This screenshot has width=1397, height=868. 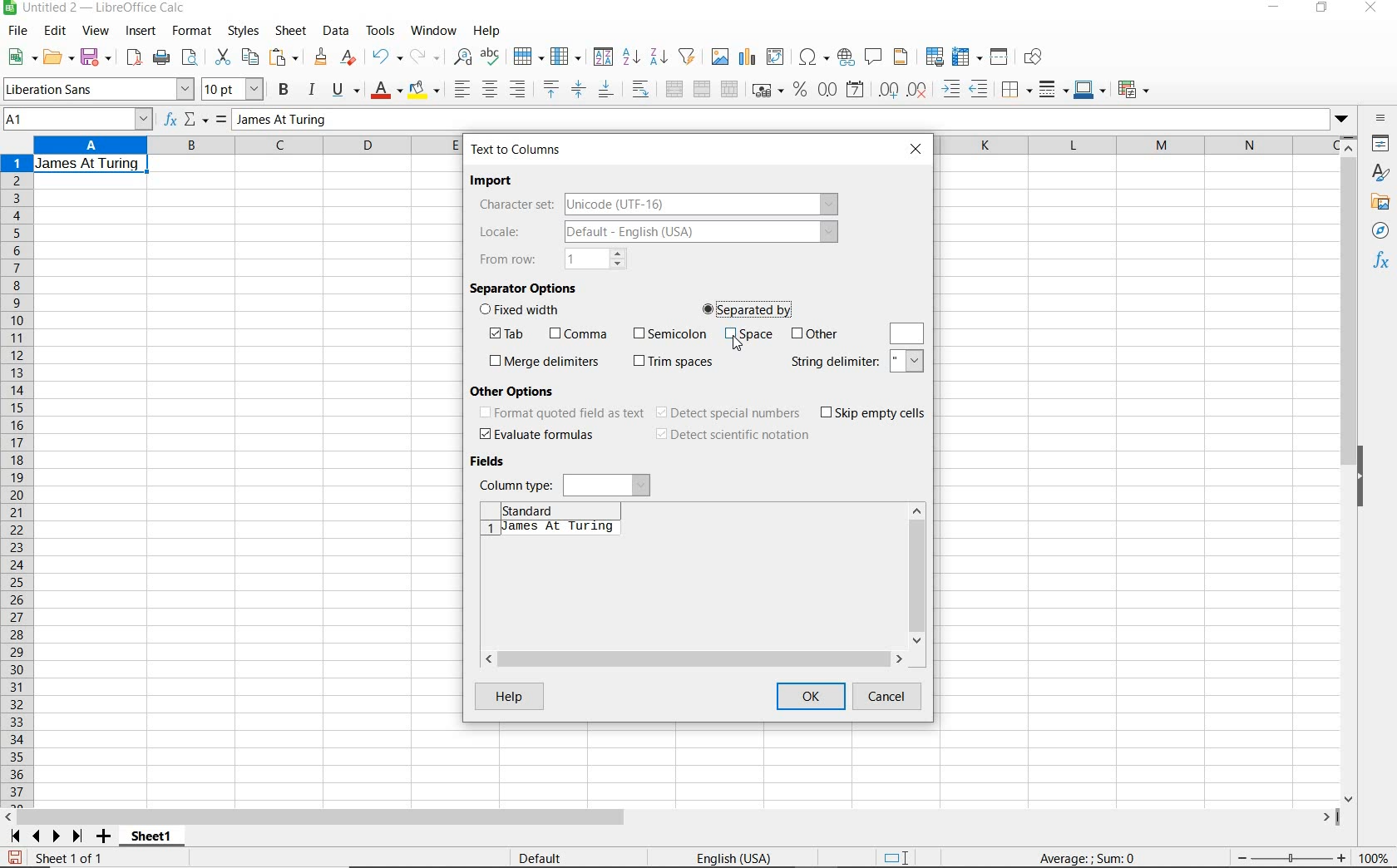 What do you see at coordinates (1380, 172) in the screenshot?
I see `styles` at bounding box center [1380, 172].